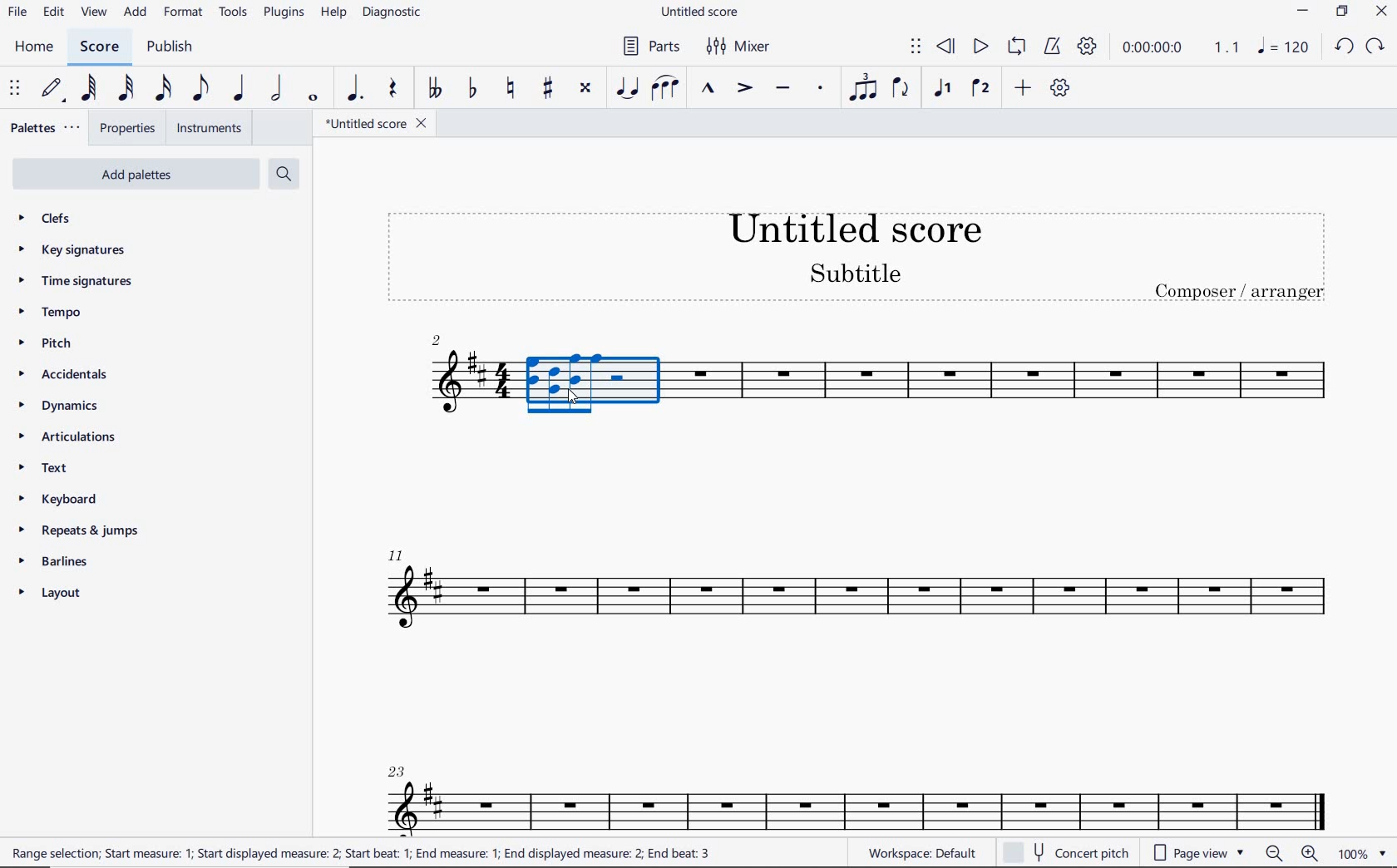 The image size is (1397, 868). Describe the element at coordinates (1376, 47) in the screenshot. I see `REDO` at that location.